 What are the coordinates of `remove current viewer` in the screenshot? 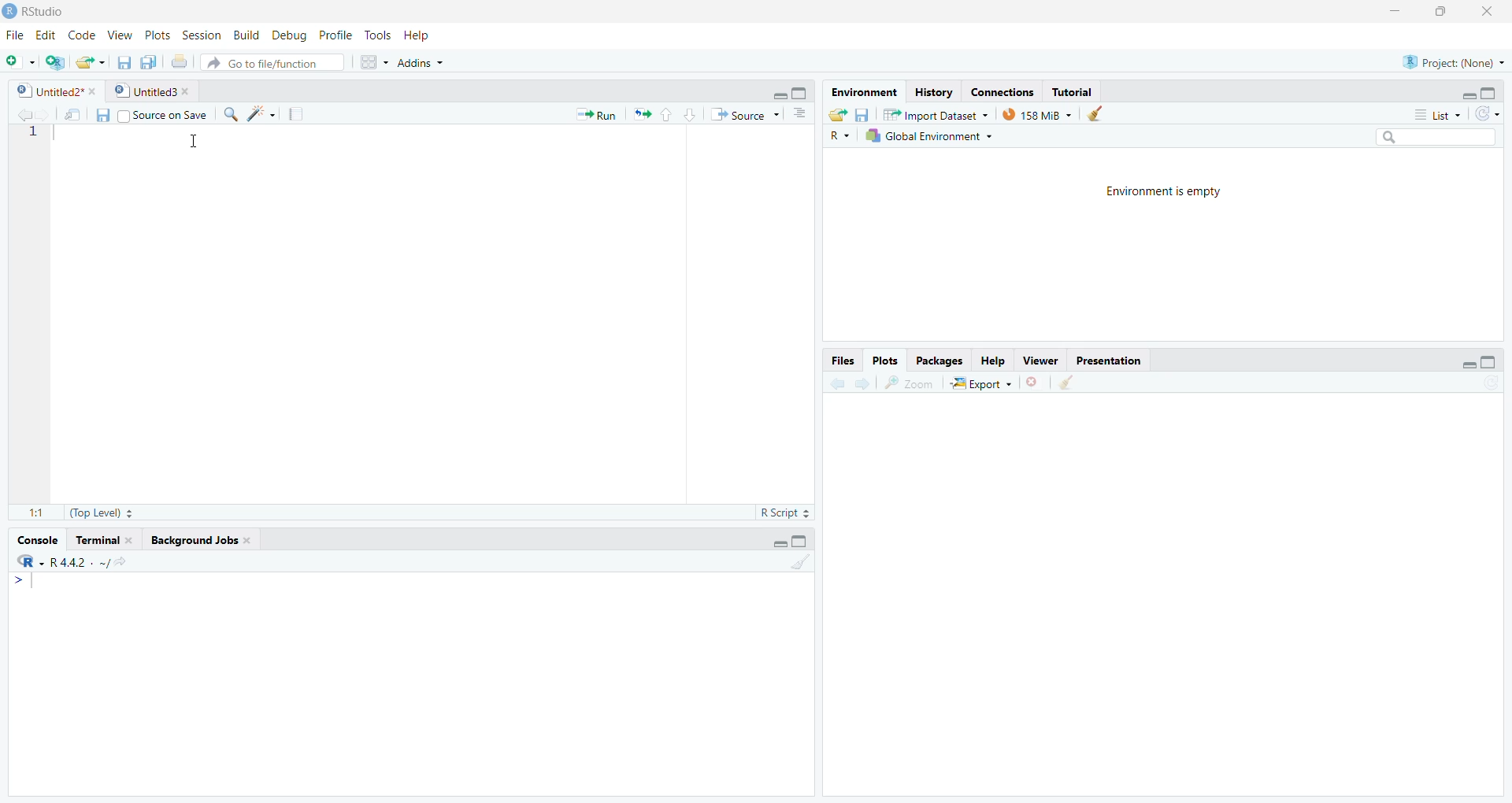 It's located at (1033, 382).